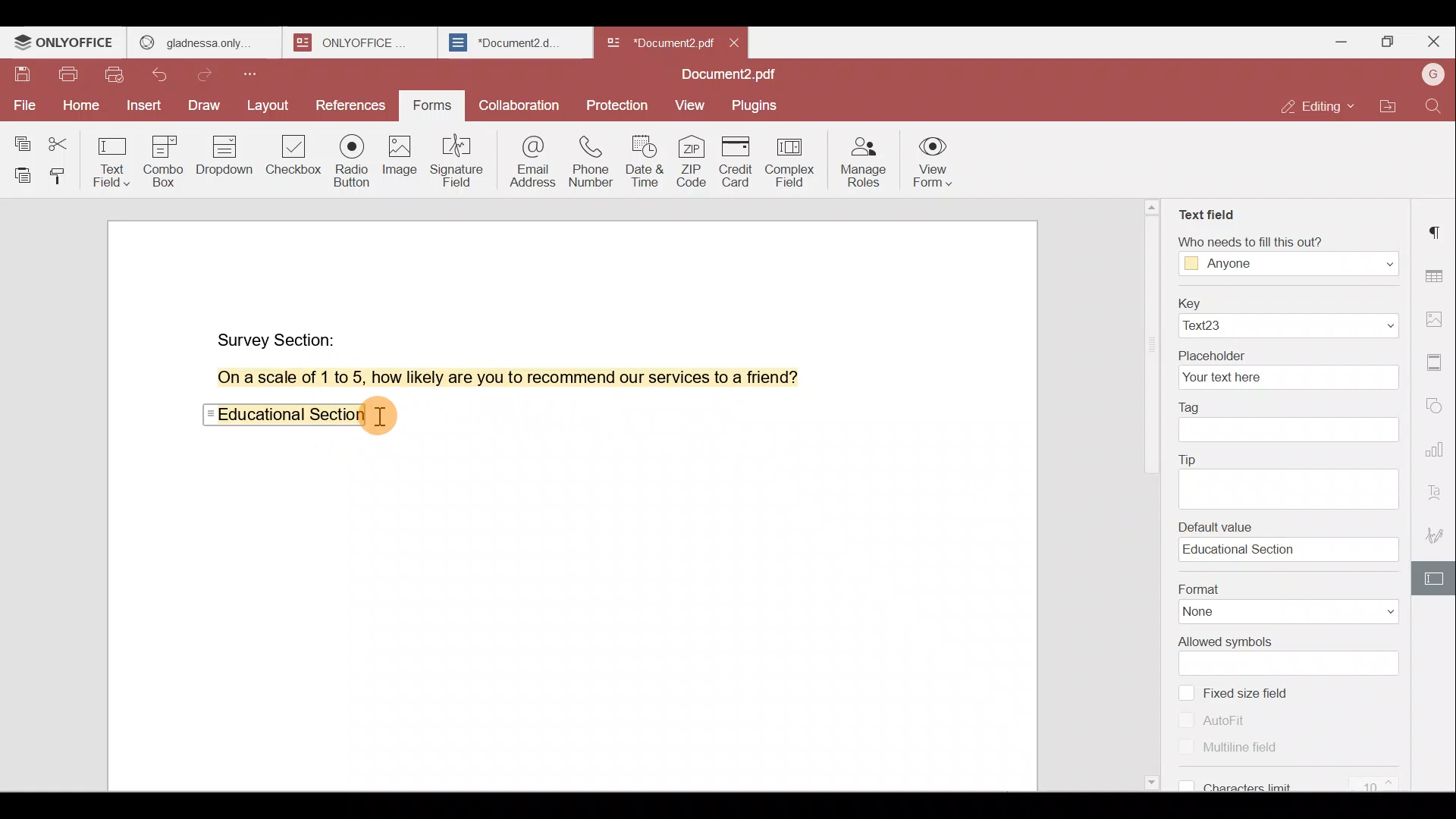 This screenshot has height=819, width=1456. Describe the element at coordinates (22, 78) in the screenshot. I see `Save` at that location.